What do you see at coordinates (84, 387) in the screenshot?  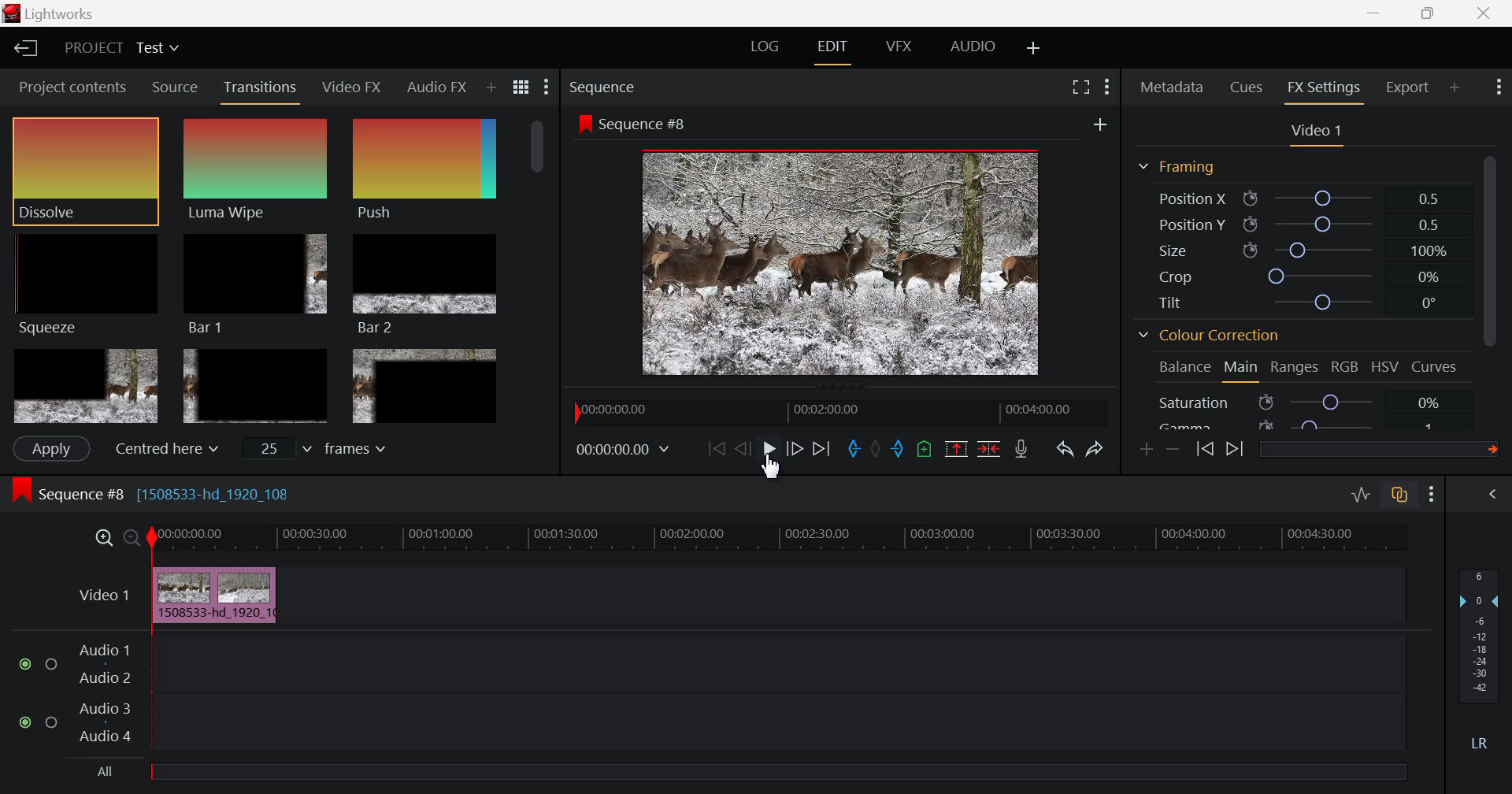 I see `Box 4` at bounding box center [84, 387].